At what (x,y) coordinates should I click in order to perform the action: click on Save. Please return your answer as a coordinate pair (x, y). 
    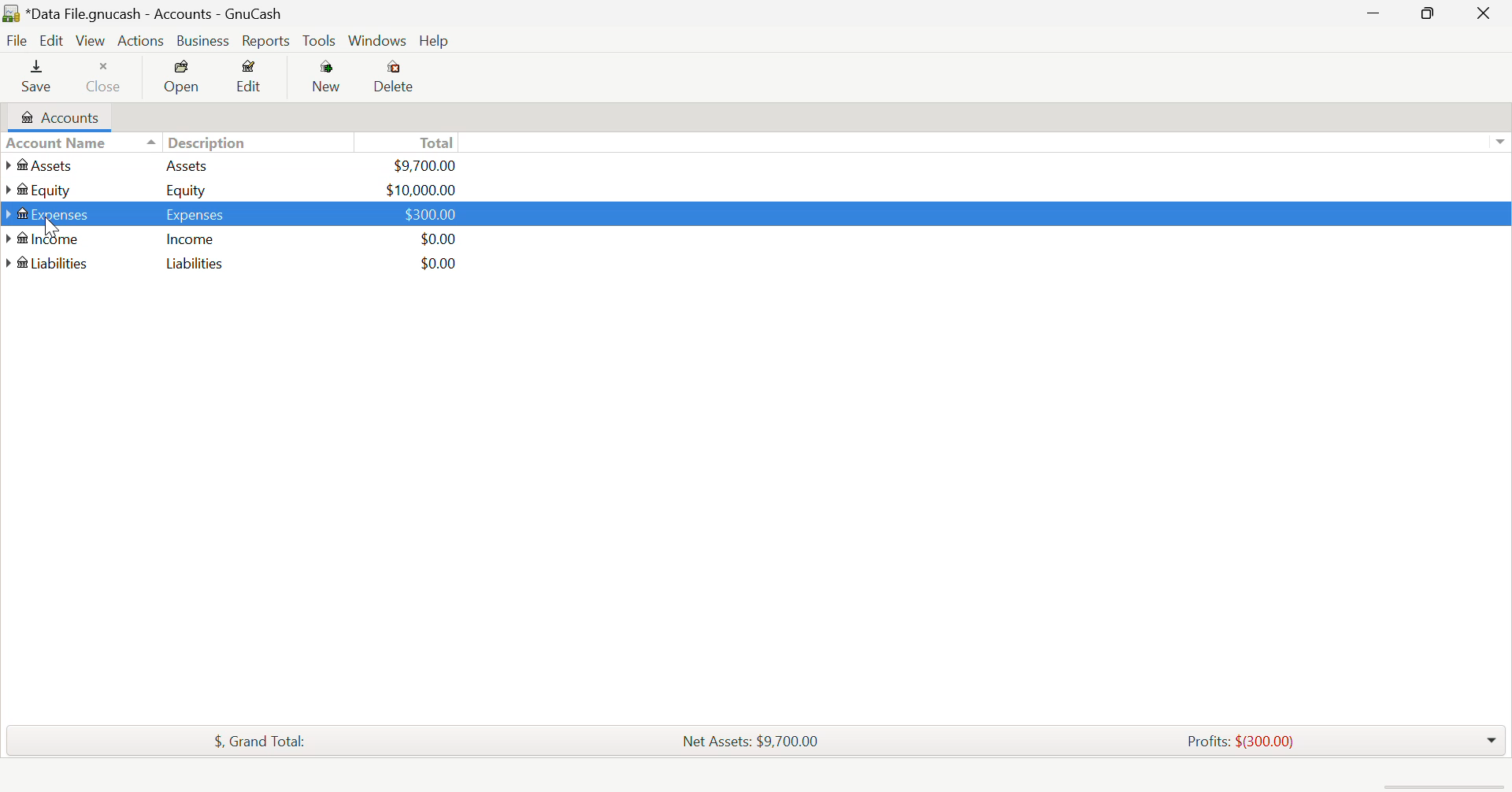
    Looking at the image, I should click on (38, 77).